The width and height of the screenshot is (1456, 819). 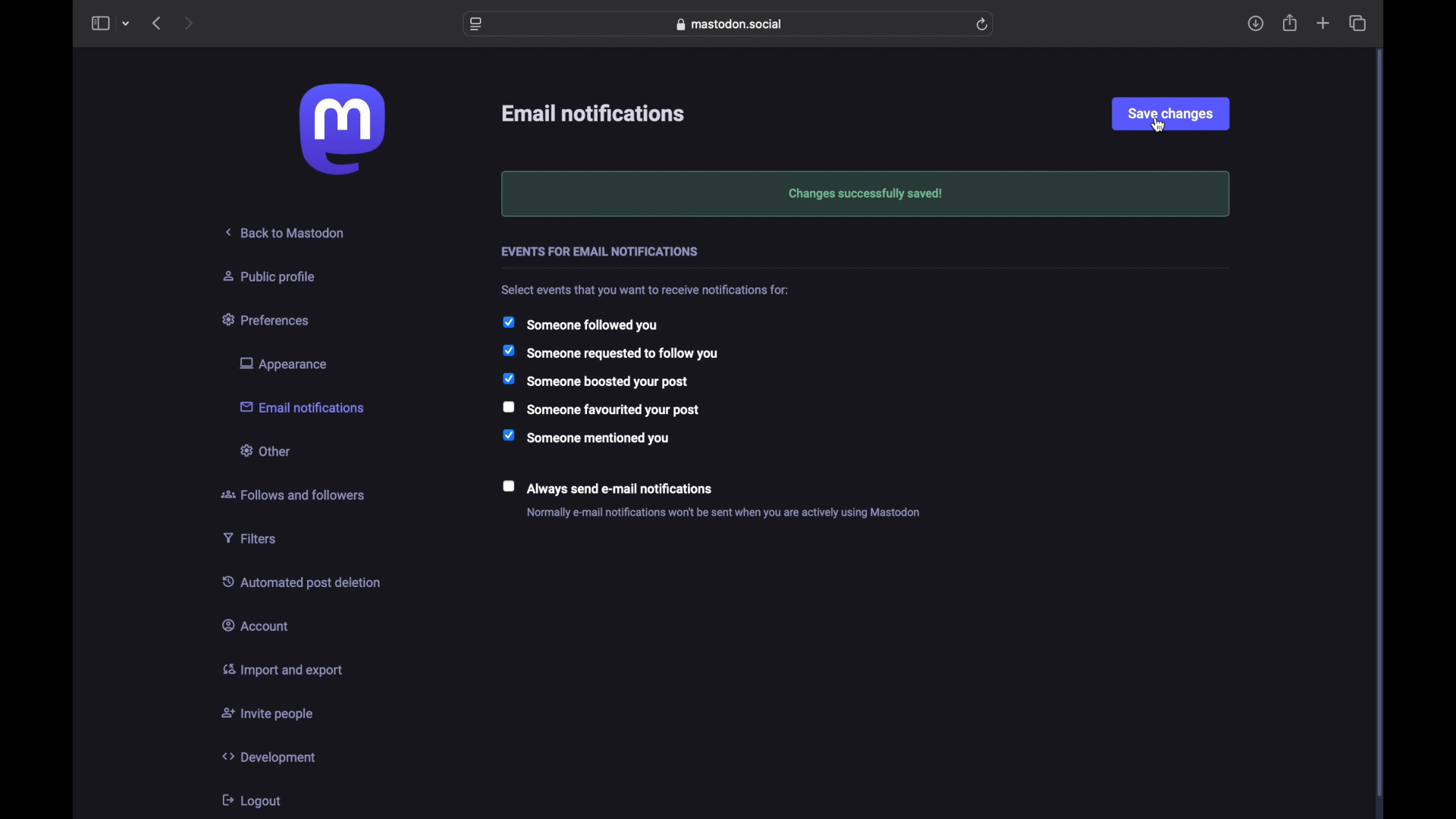 I want to click on refresh, so click(x=981, y=24).